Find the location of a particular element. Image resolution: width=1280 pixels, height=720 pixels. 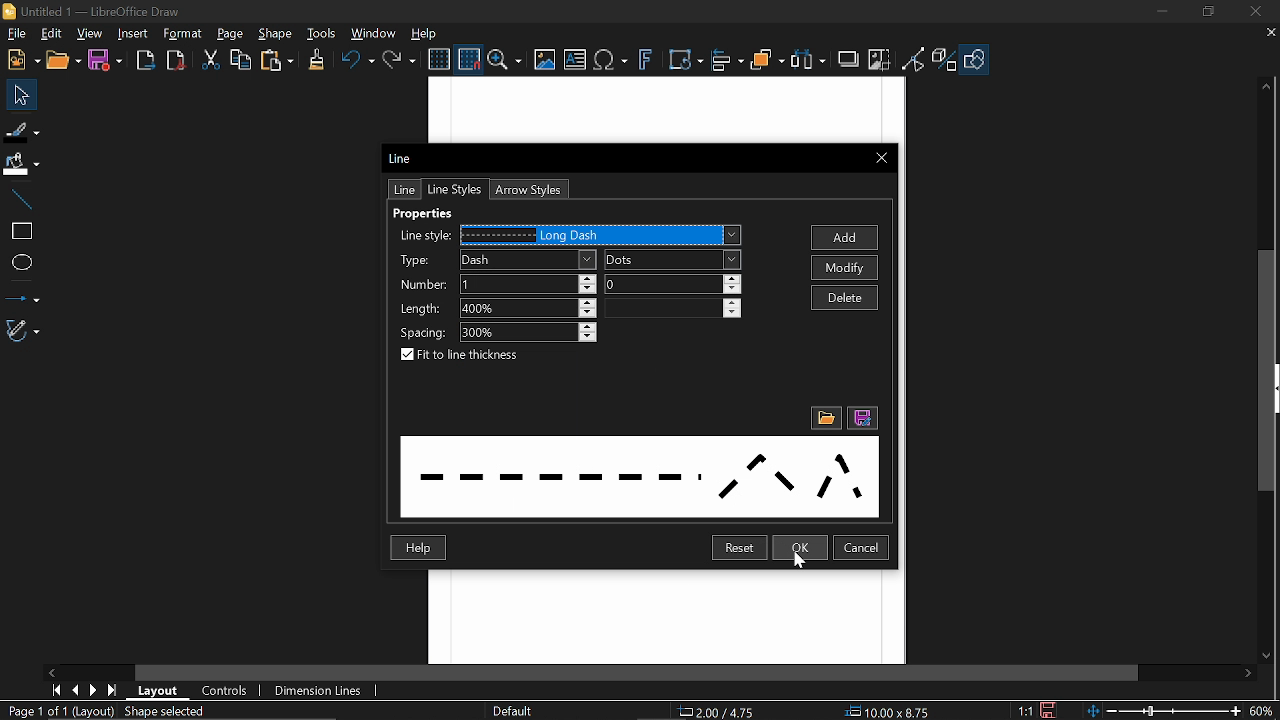

Line is located at coordinates (21, 201).